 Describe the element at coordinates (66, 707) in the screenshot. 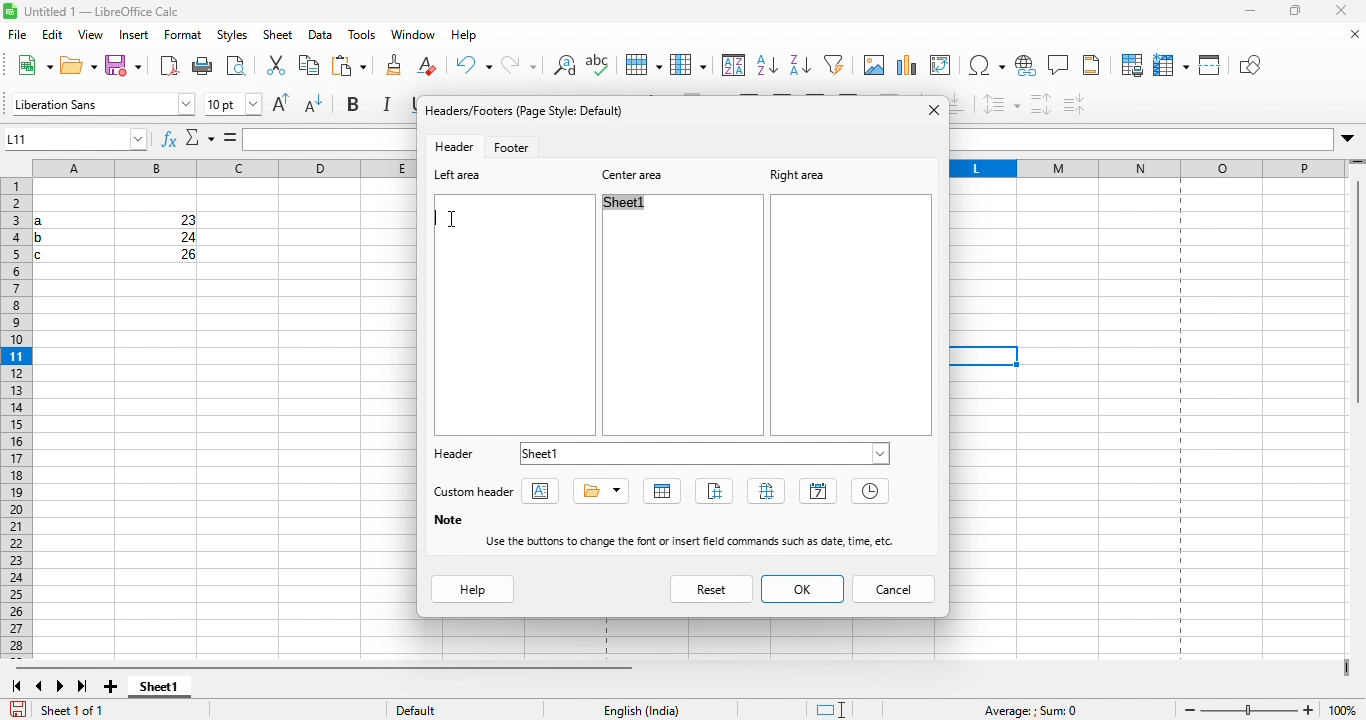

I see `sheet 1 of 1` at that location.